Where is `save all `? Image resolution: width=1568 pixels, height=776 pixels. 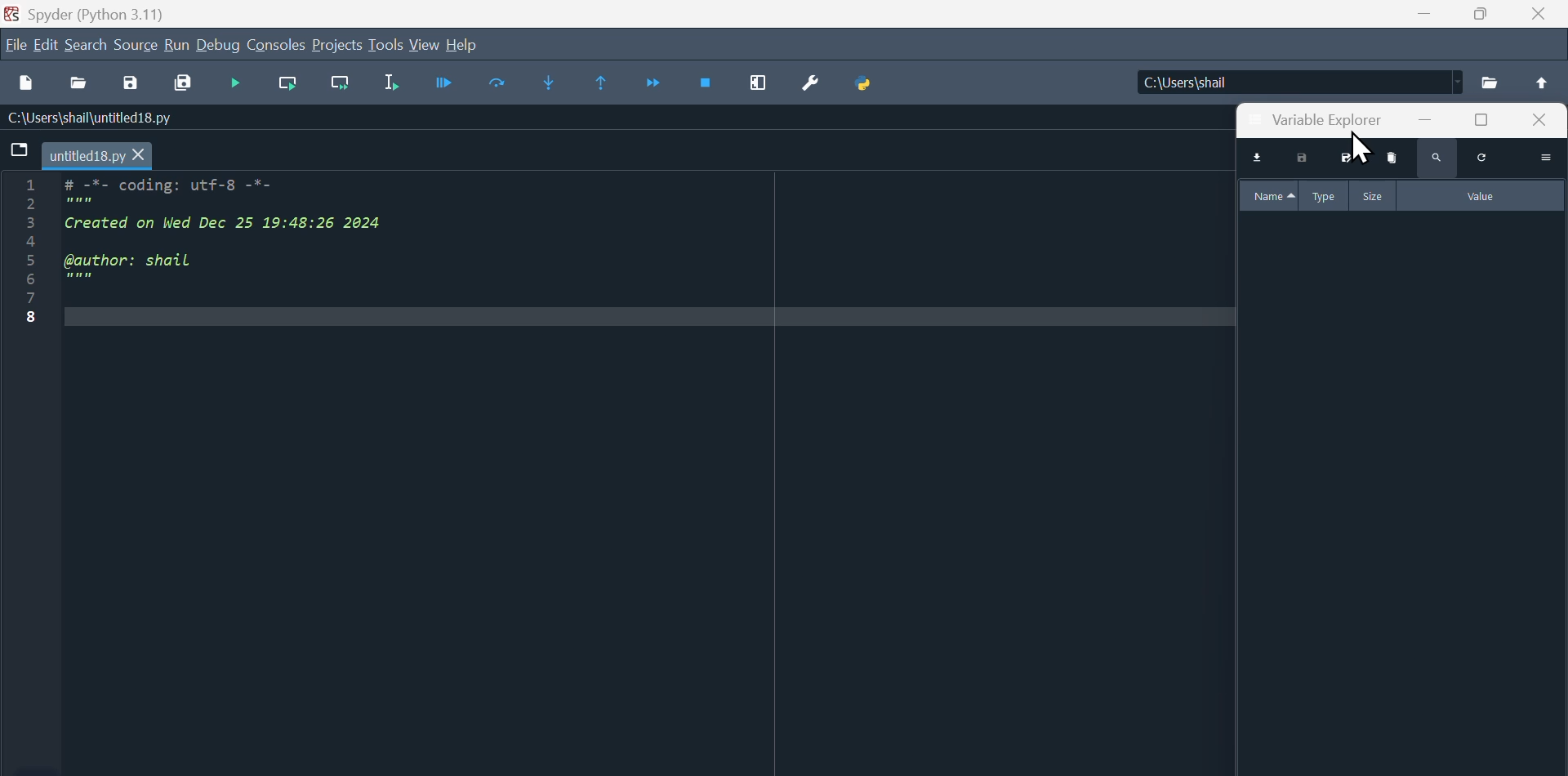 save all  is located at coordinates (1354, 159).